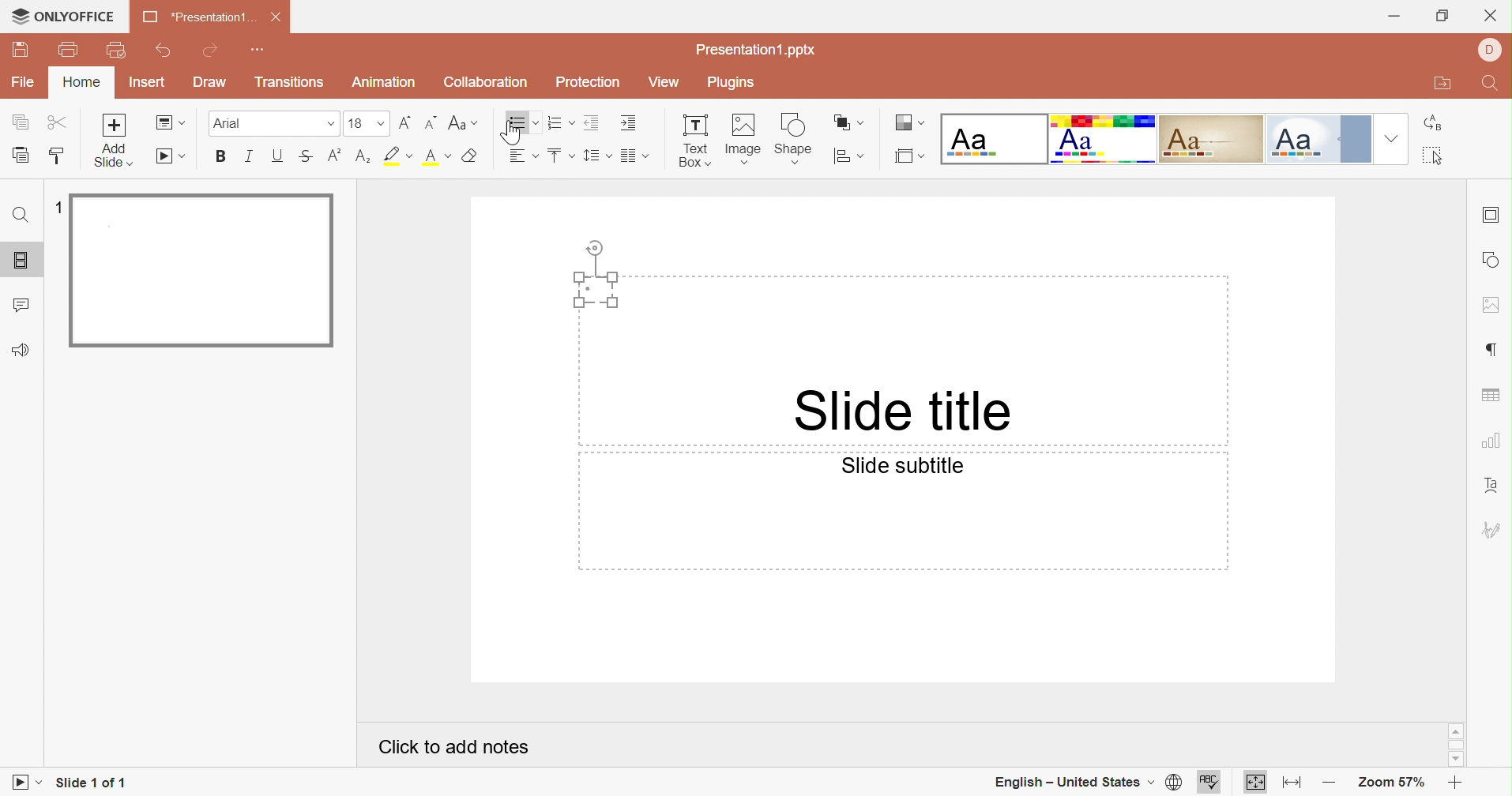 The image size is (1512, 796). Describe the element at coordinates (690, 142) in the screenshot. I see `Text Box` at that location.